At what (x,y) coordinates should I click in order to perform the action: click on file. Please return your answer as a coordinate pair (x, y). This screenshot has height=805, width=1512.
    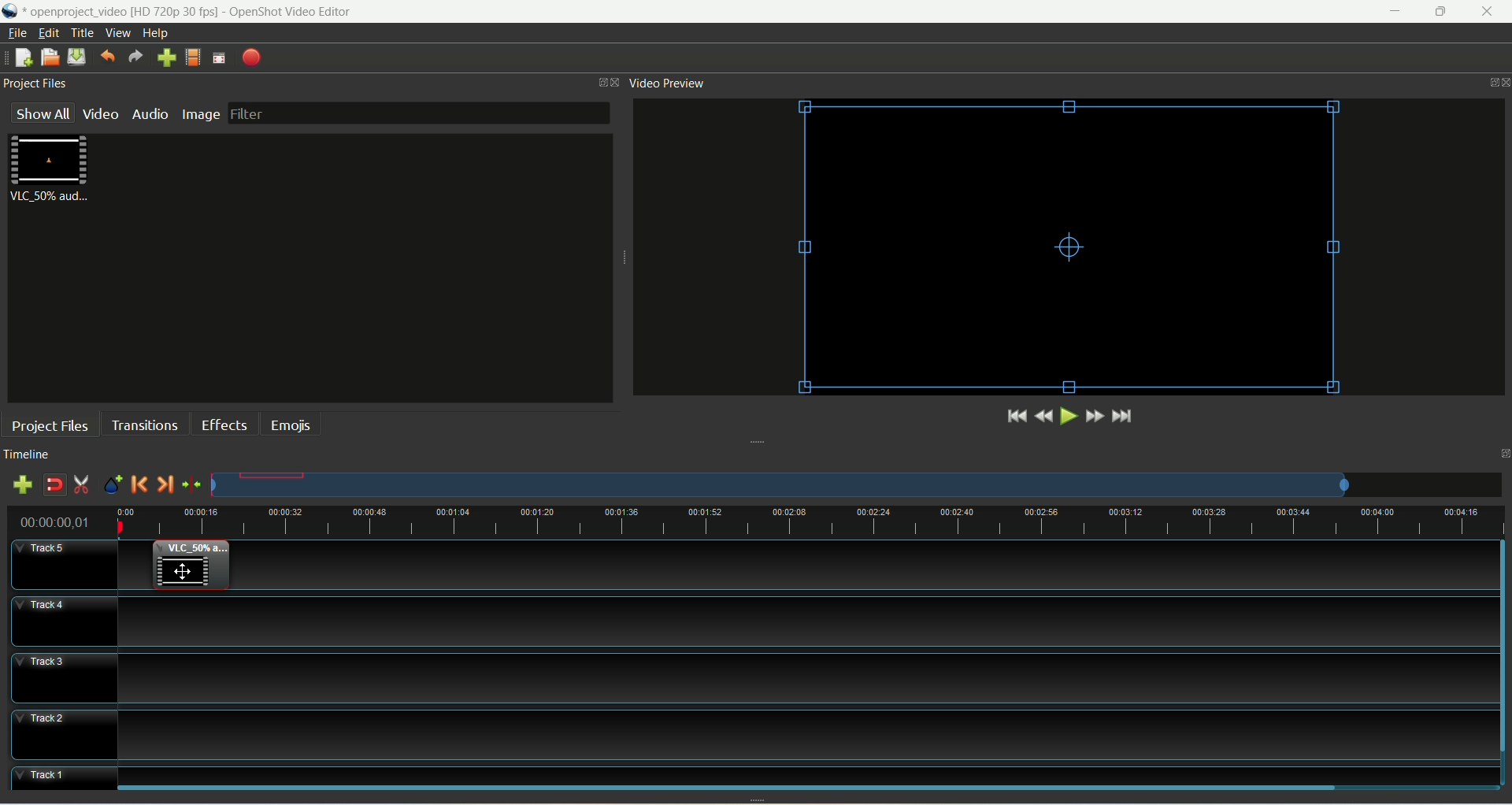
    Looking at the image, I should click on (17, 33).